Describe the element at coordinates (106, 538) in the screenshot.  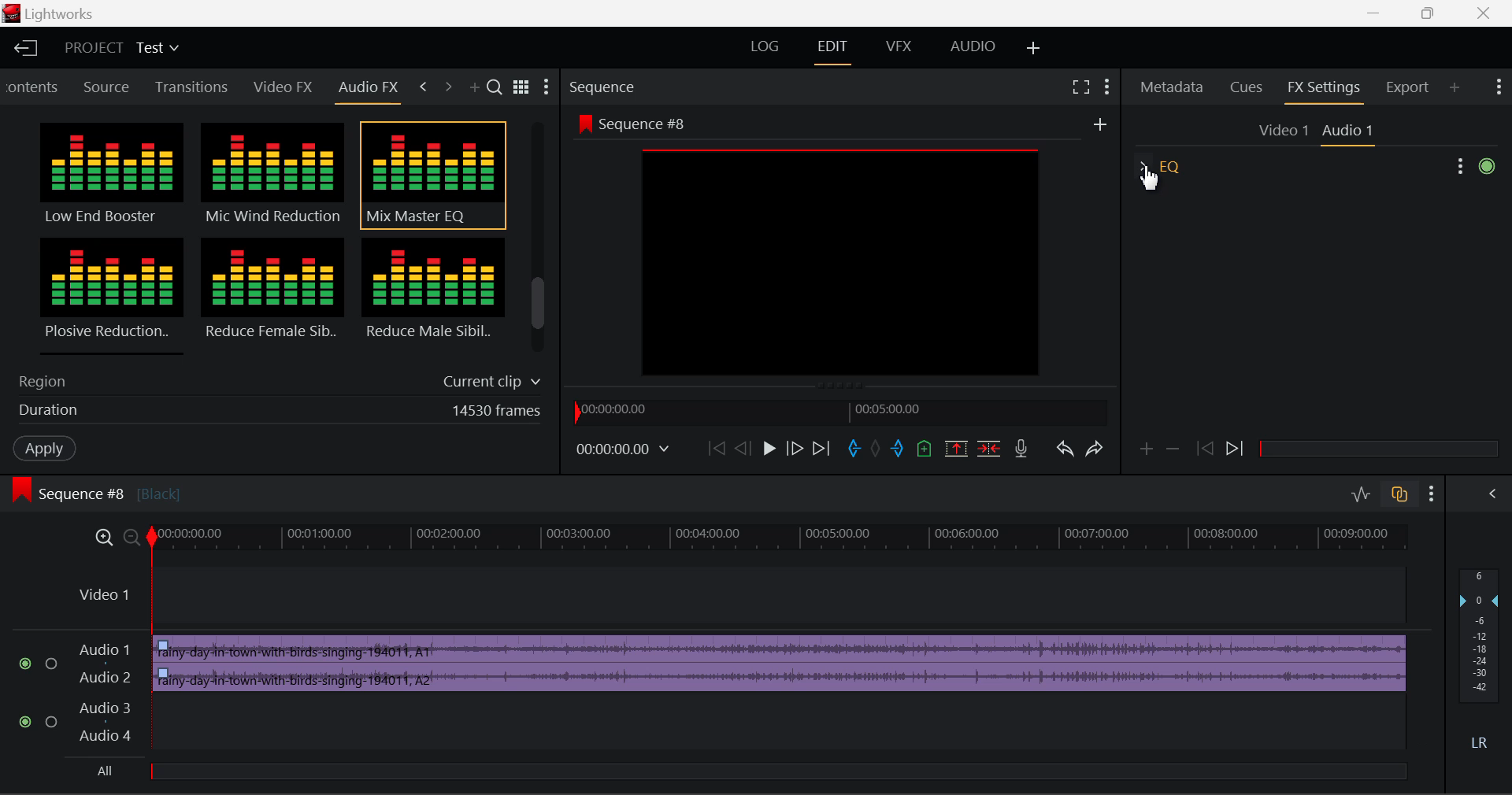
I see `Timeline Zoom In` at that location.